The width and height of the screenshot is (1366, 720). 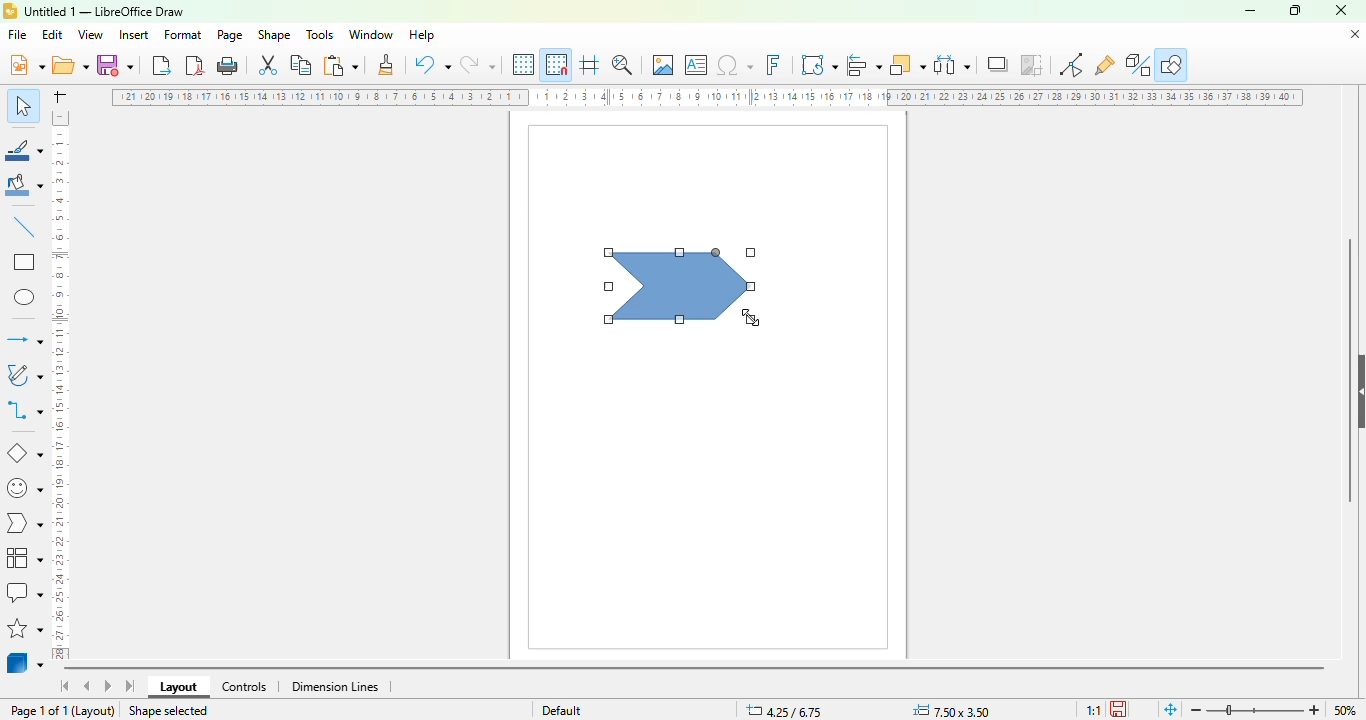 What do you see at coordinates (1171, 710) in the screenshot?
I see `fit page to current window` at bounding box center [1171, 710].